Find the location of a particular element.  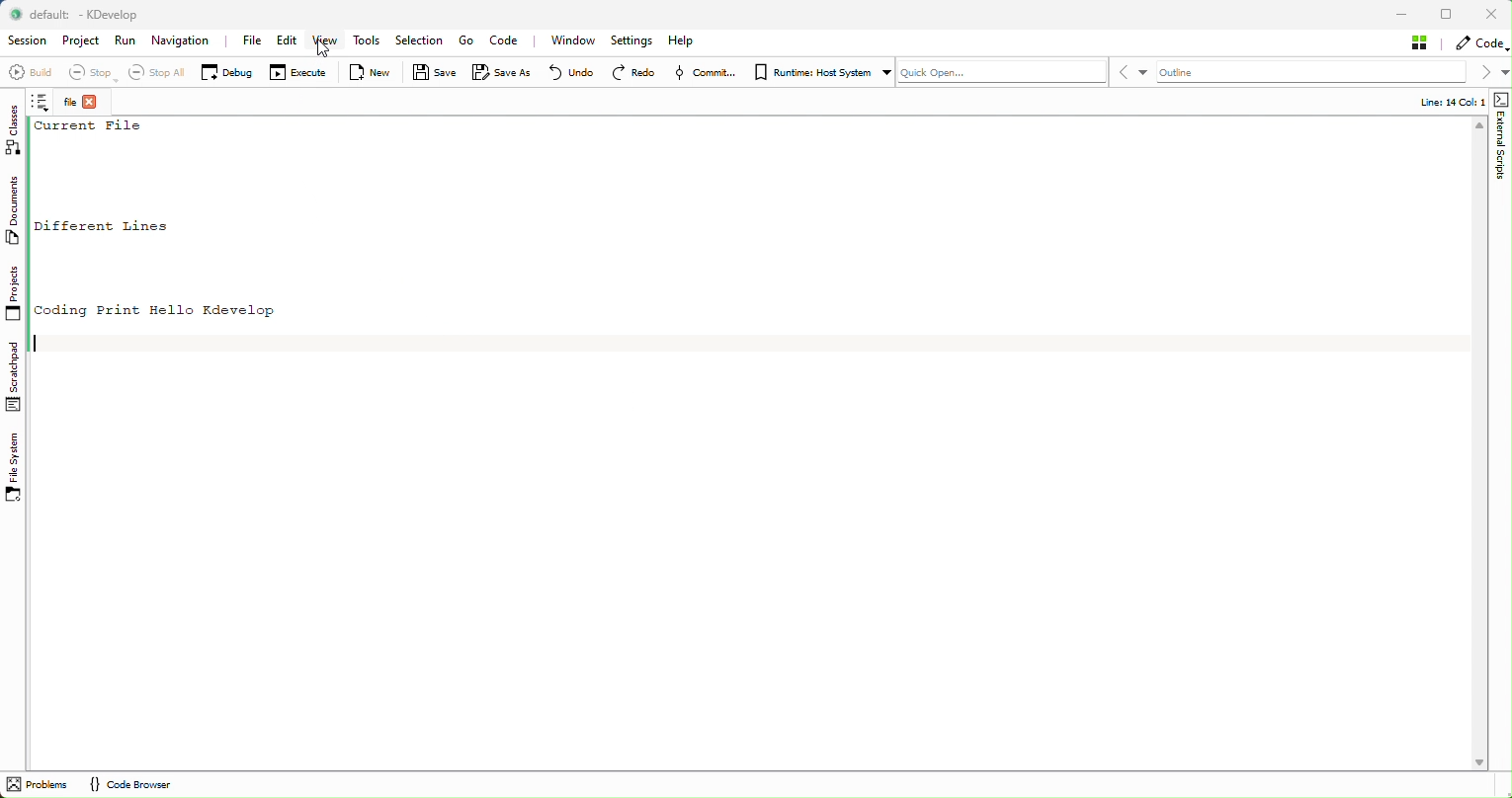

note is located at coordinates (44, 105).